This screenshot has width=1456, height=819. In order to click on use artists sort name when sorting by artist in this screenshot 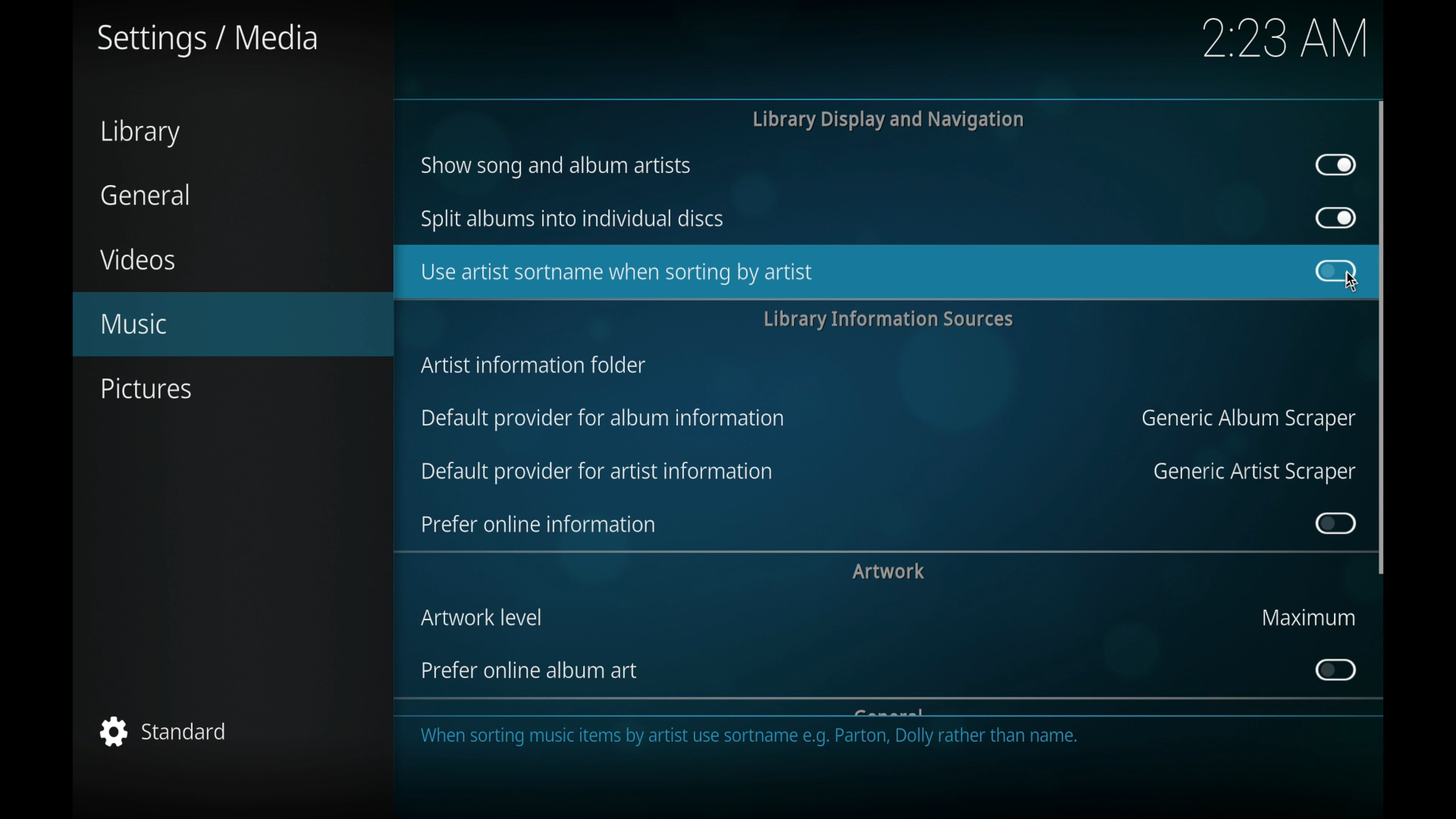, I will do `click(833, 269)`.